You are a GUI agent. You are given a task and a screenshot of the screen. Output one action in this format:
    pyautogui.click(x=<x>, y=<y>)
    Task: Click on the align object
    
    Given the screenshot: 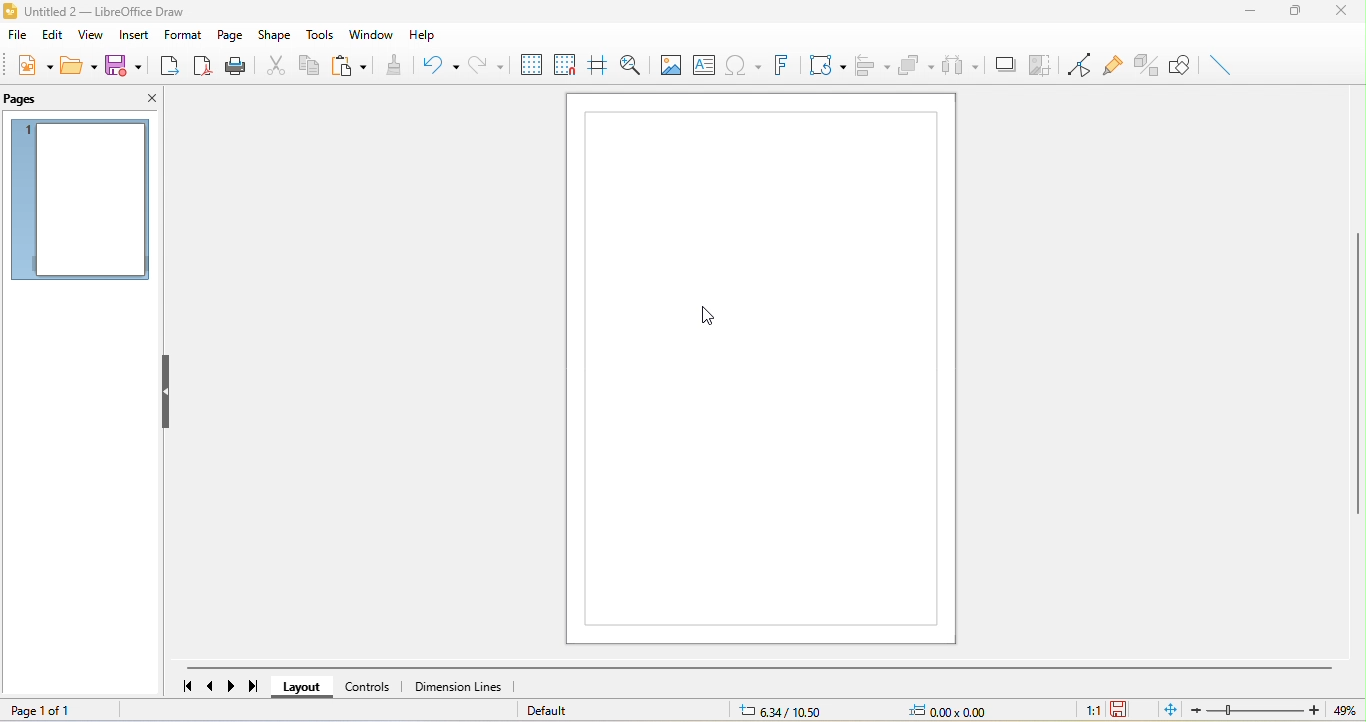 What is the action you would take?
    pyautogui.click(x=873, y=64)
    